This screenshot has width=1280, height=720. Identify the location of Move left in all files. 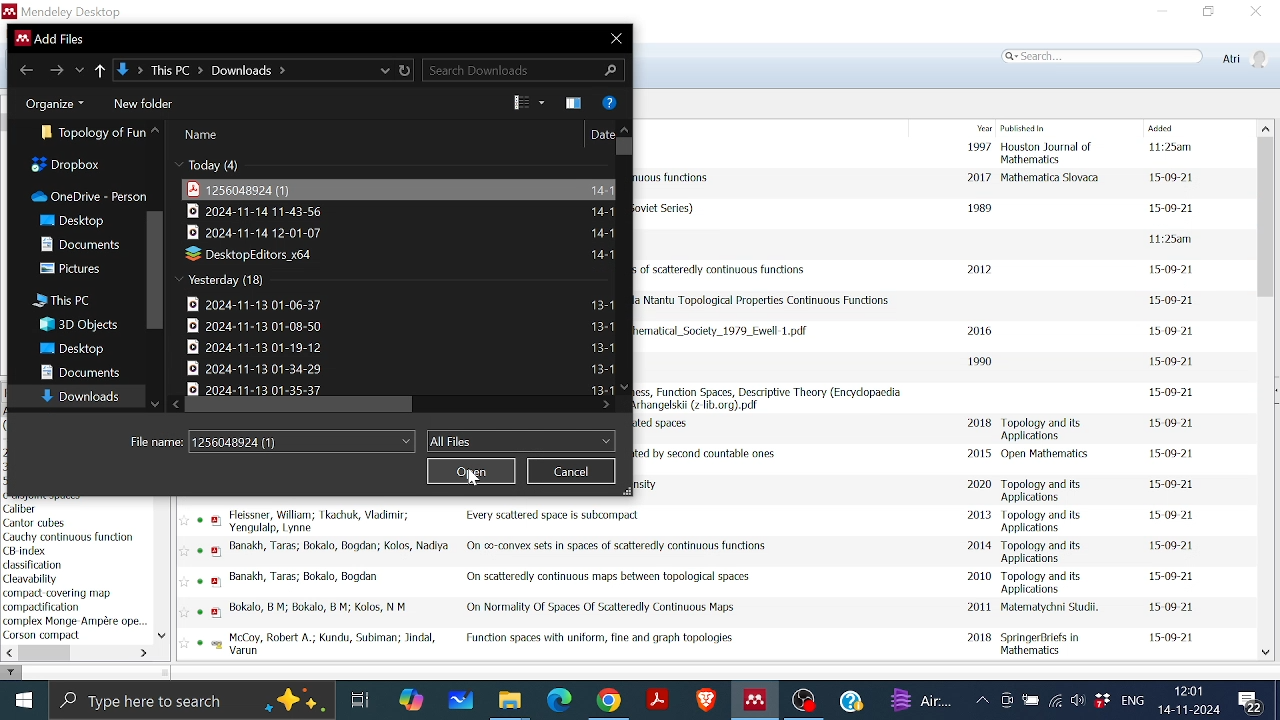
(174, 406).